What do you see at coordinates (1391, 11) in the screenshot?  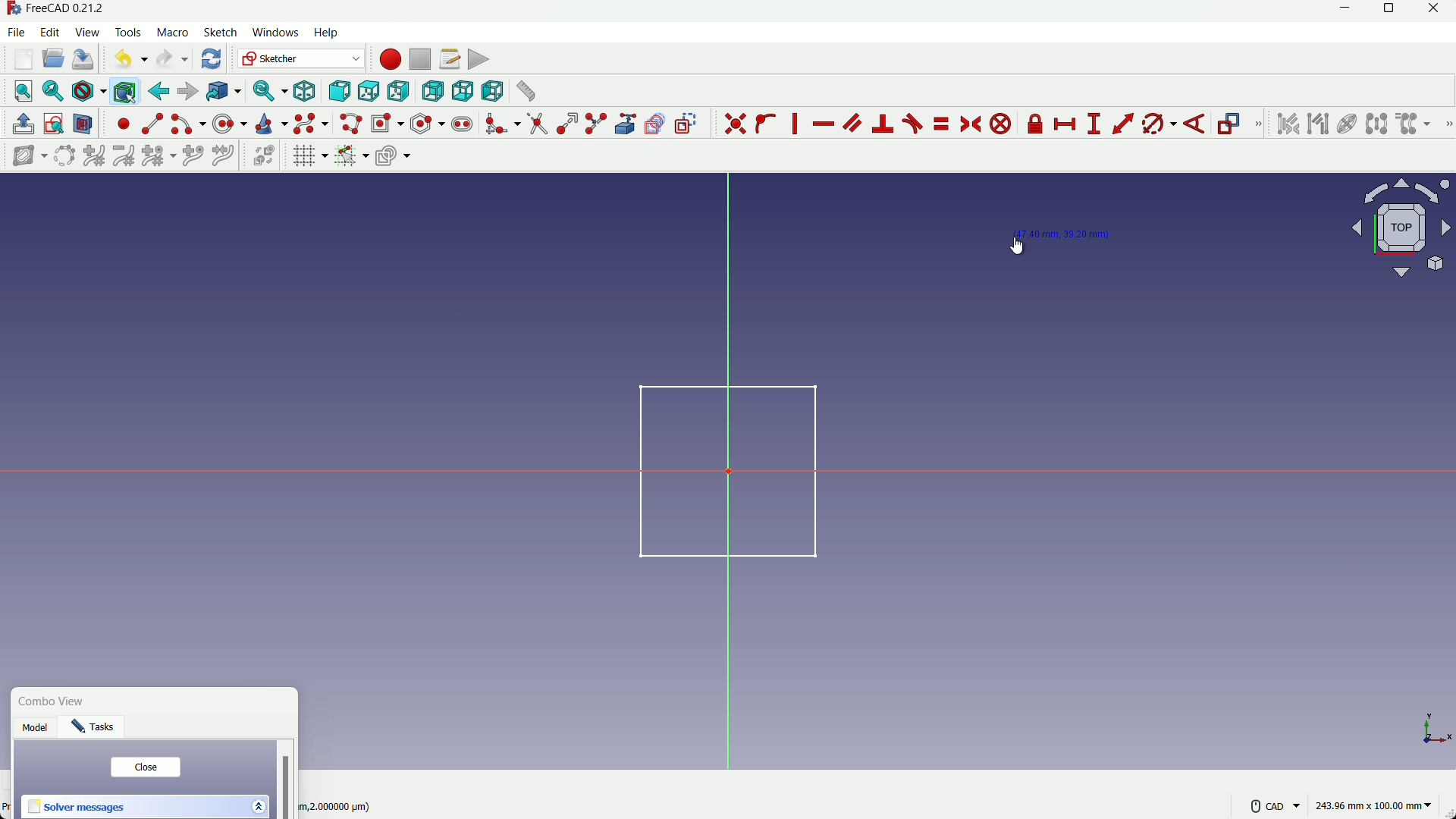 I see `maximize or restore` at bounding box center [1391, 11].